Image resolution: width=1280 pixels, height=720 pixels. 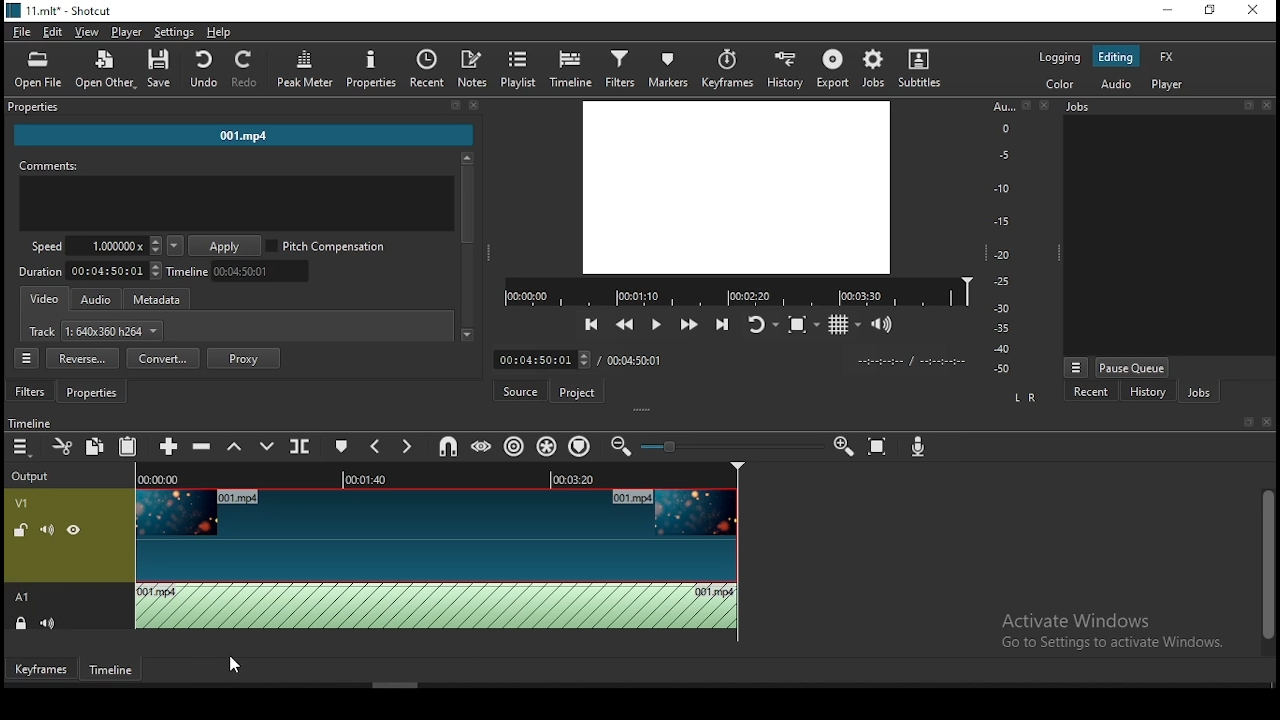 What do you see at coordinates (162, 357) in the screenshot?
I see `convert` at bounding box center [162, 357].